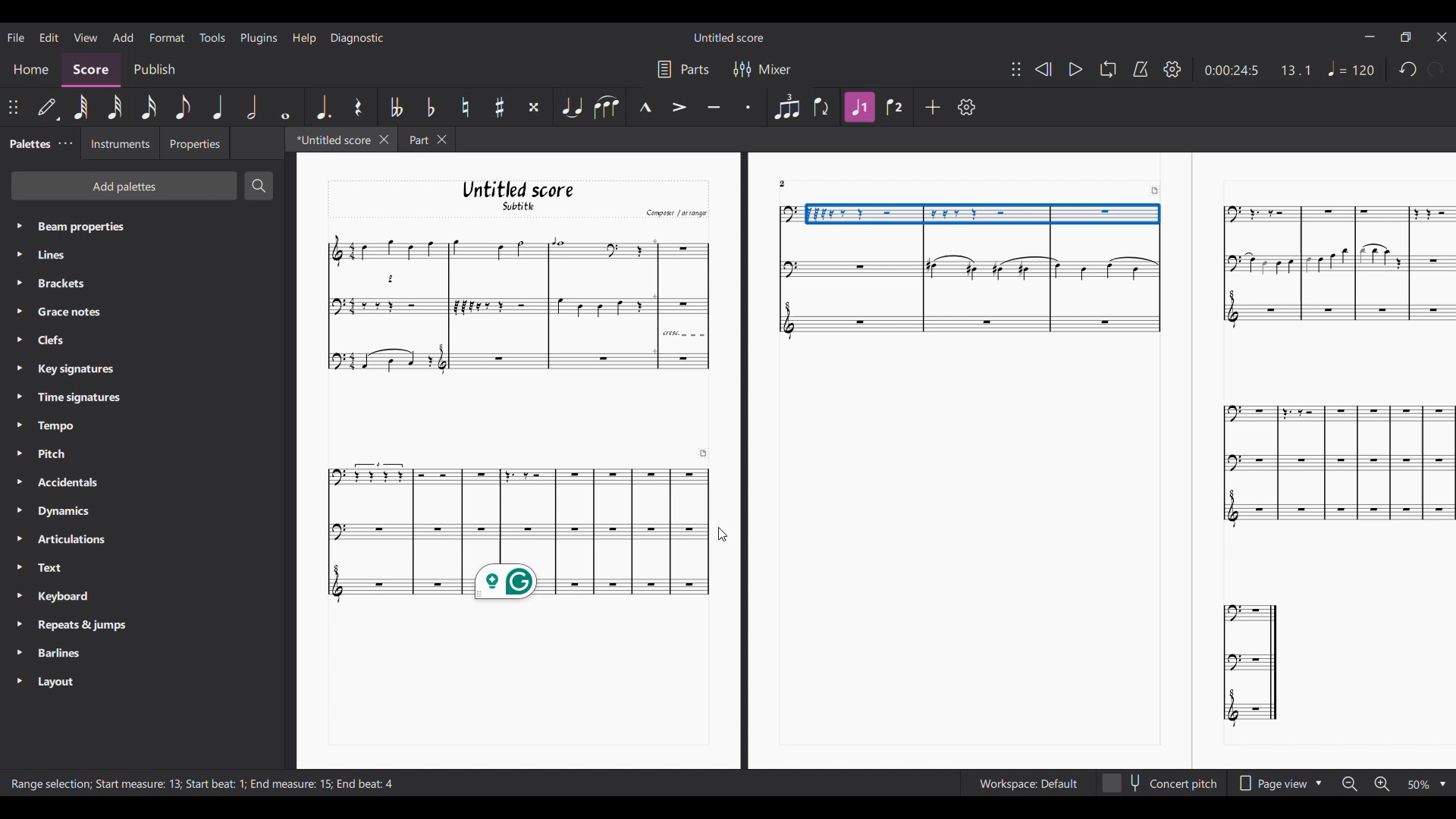 This screenshot has height=819, width=1456. I want to click on Untitled score, so click(729, 38).